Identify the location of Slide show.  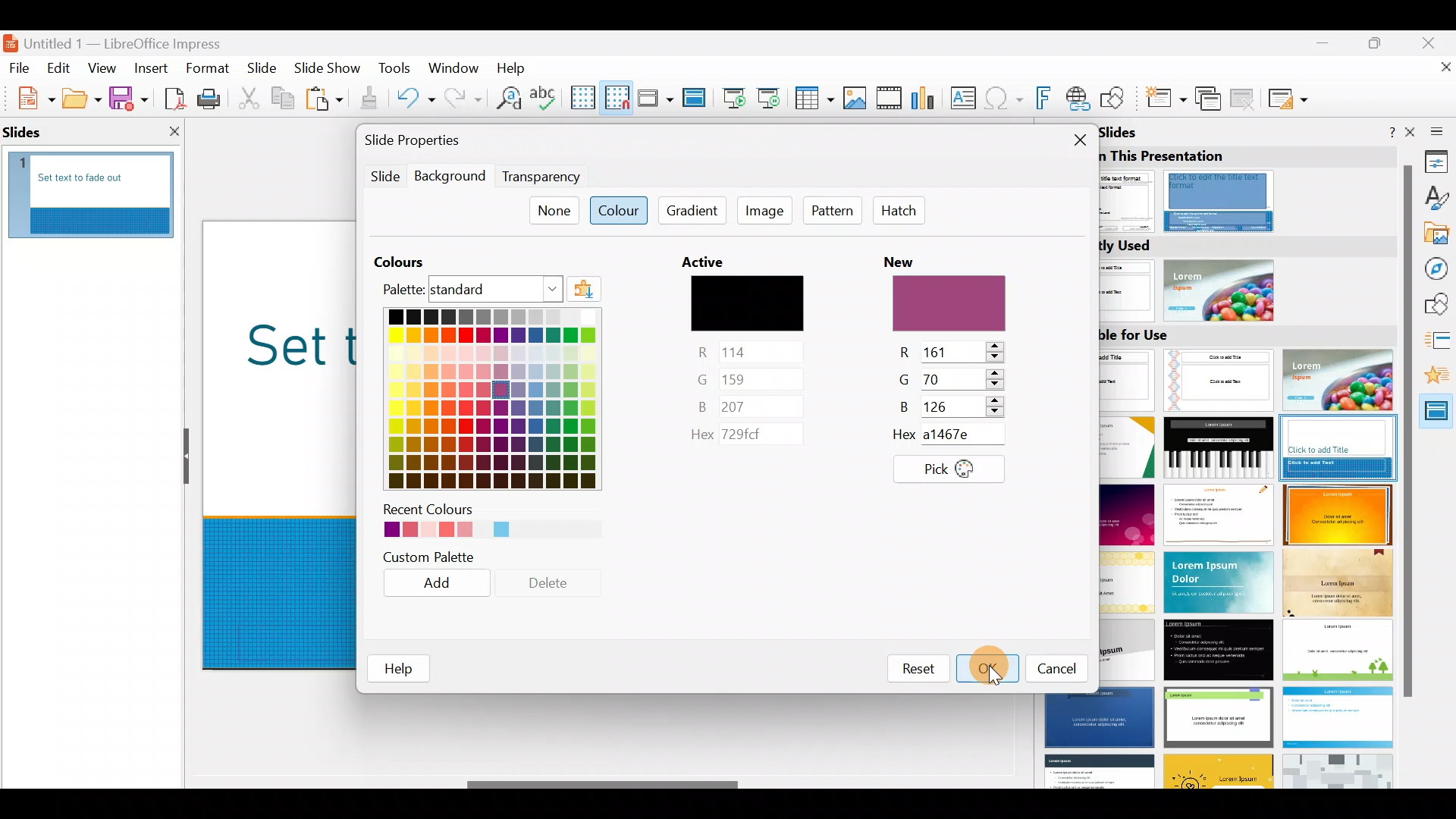
(331, 70).